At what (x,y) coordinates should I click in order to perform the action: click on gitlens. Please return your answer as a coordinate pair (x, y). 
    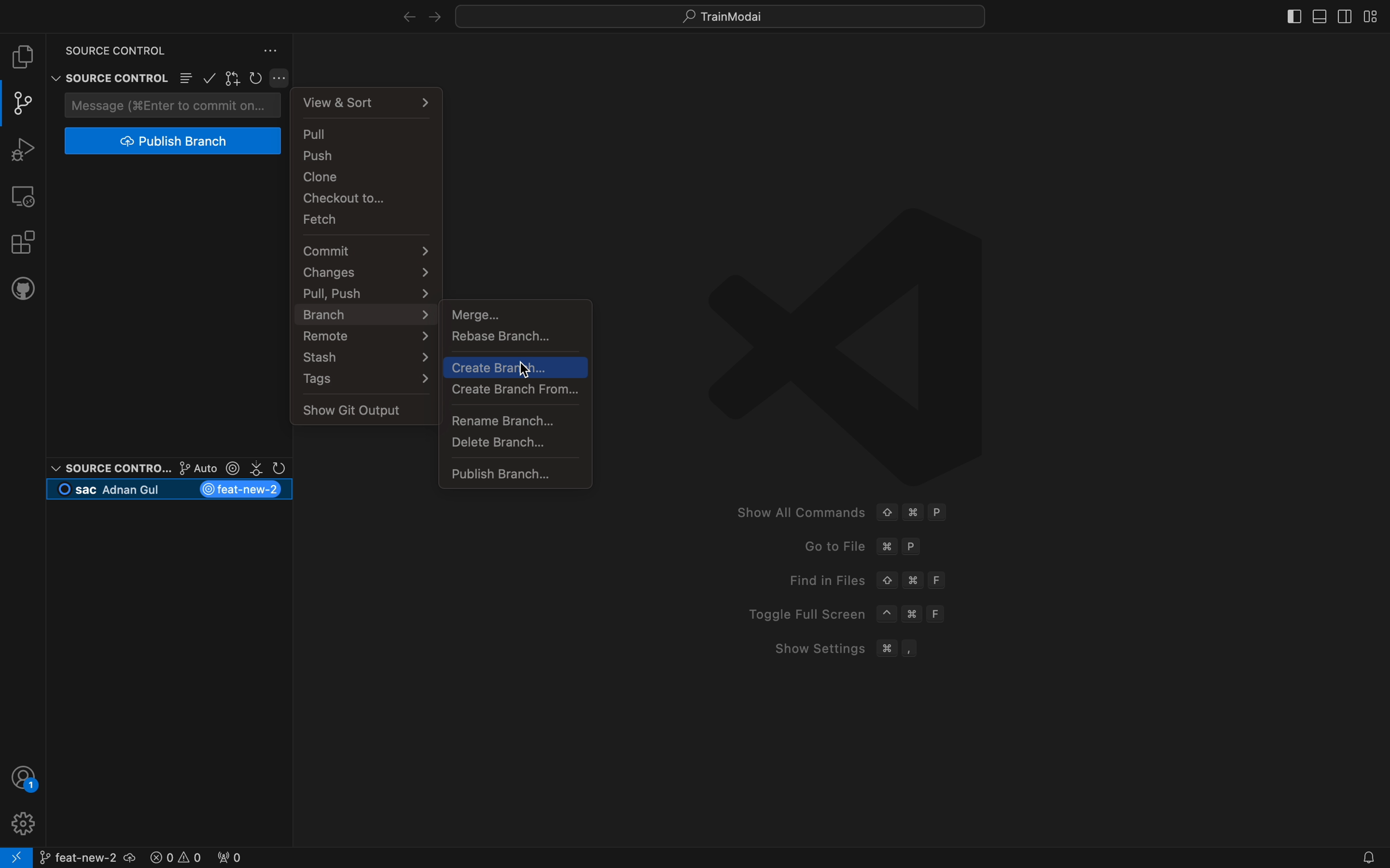
    Looking at the image, I should click on (234, 79).